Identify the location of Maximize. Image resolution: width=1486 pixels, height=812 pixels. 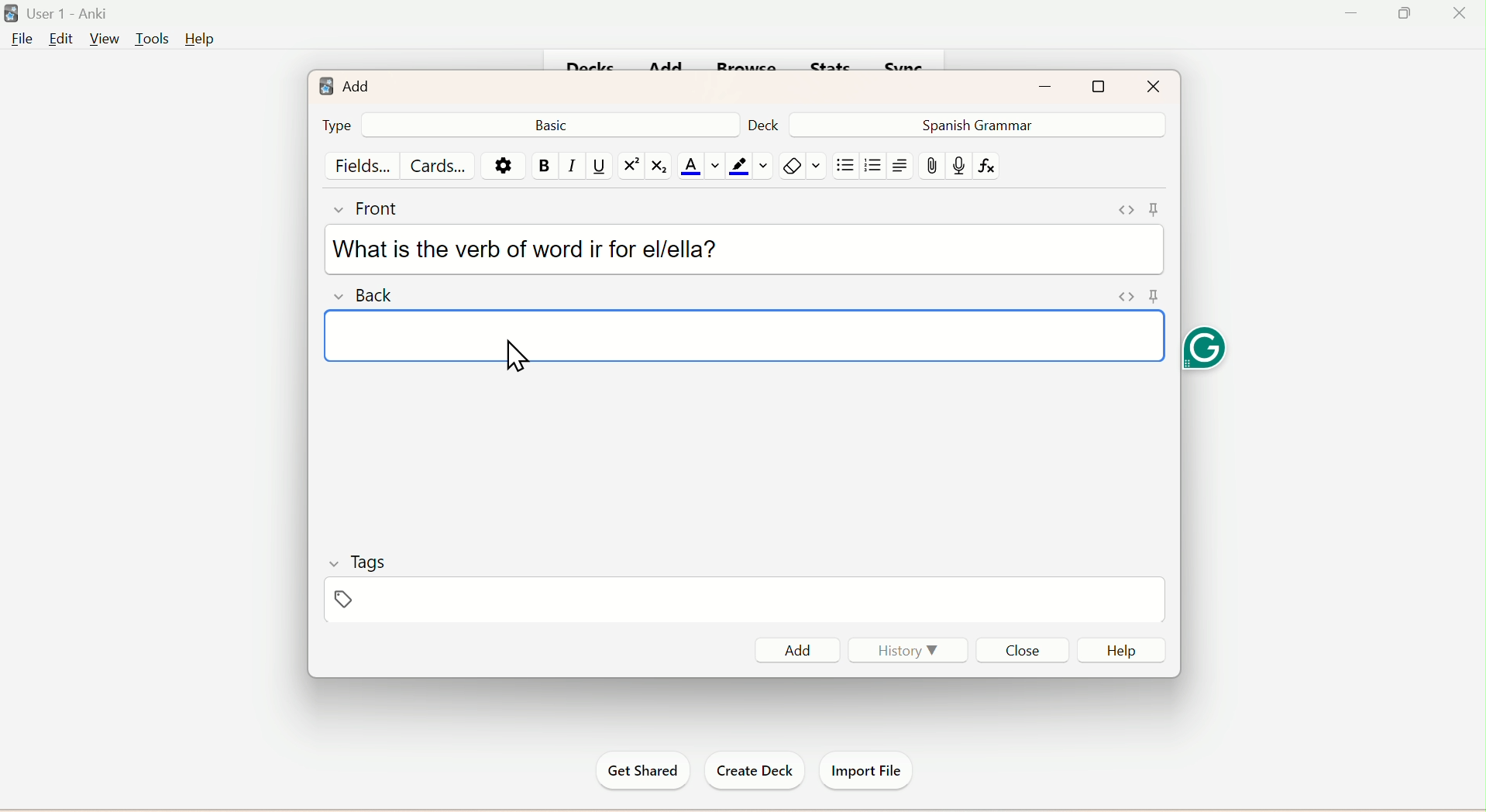
(1100, 86).